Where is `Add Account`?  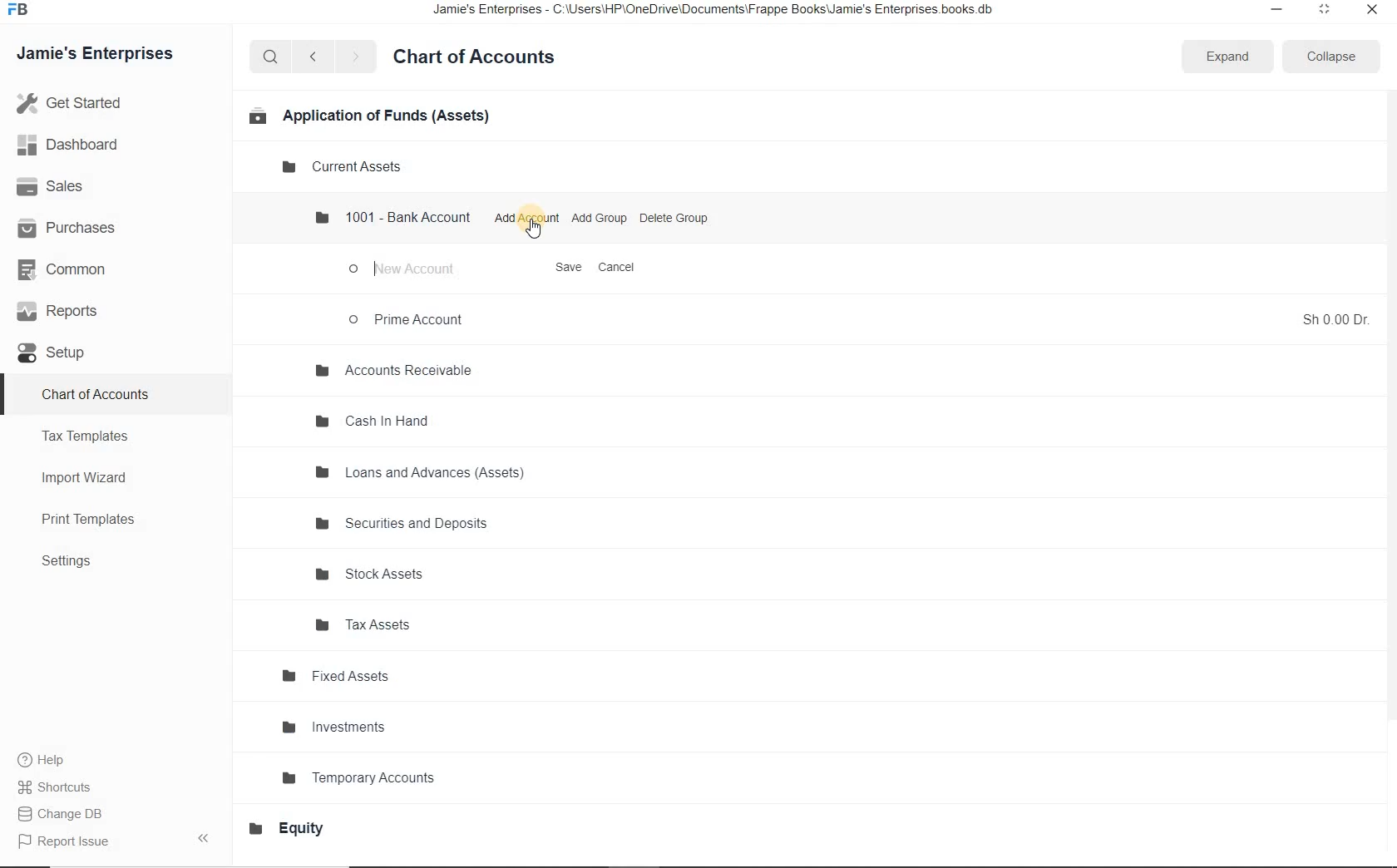
Add Account is located at coordinates (526, 218).